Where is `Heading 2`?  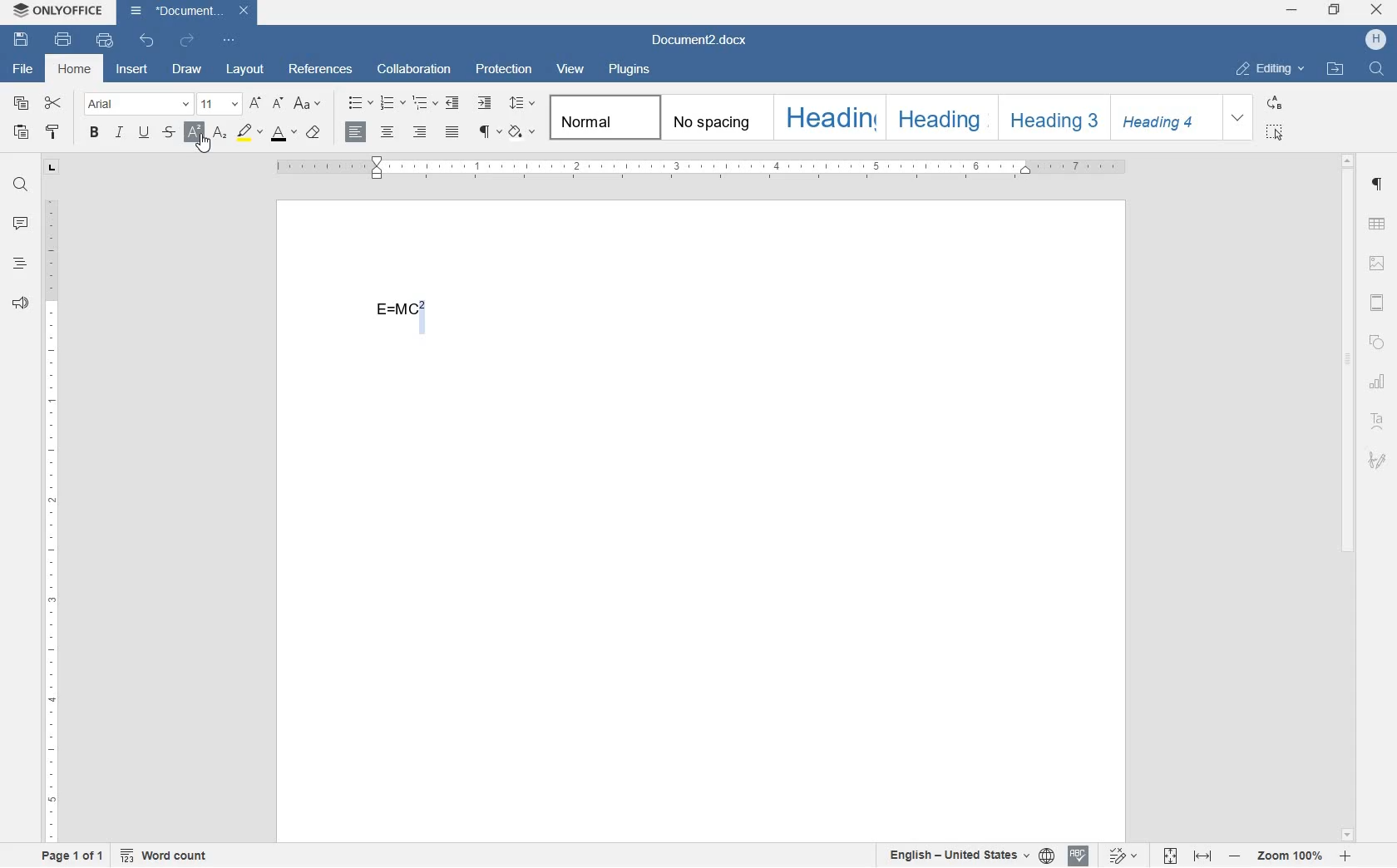 Heading 2 is located at coordinates (939, 118).